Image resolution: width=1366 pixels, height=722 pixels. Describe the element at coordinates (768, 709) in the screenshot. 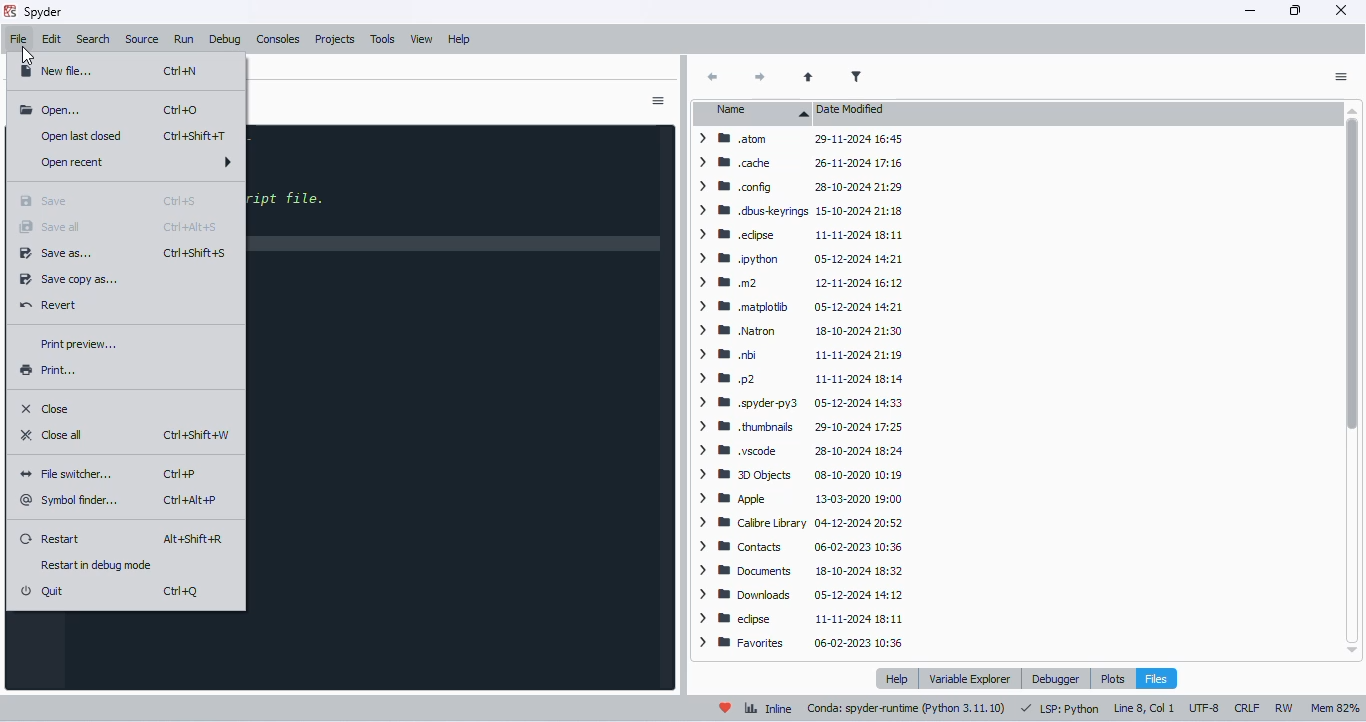

I see `inline` at that location.